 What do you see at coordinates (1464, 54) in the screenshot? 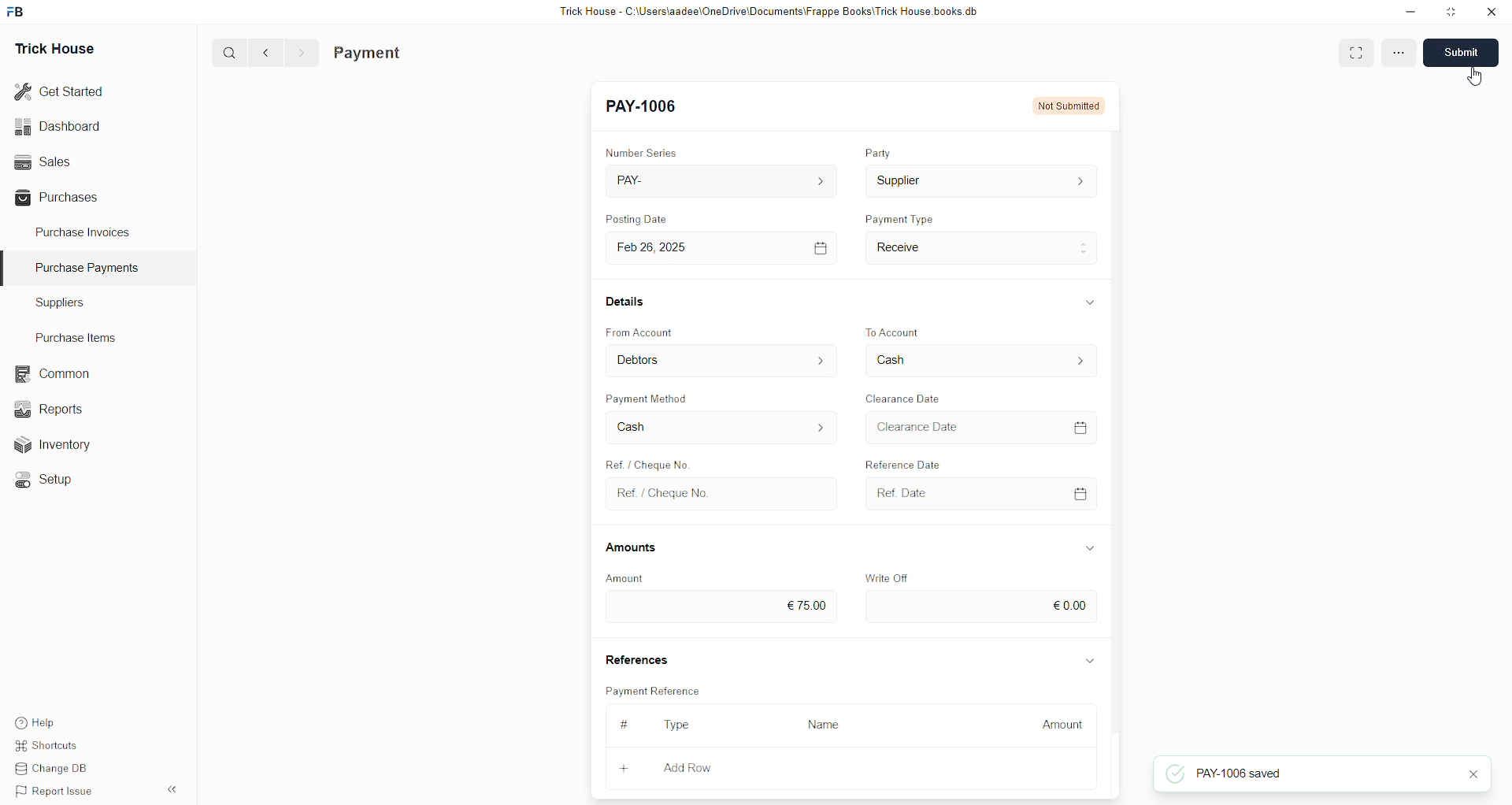
I see `Save` at bounding box center [1464, 54].